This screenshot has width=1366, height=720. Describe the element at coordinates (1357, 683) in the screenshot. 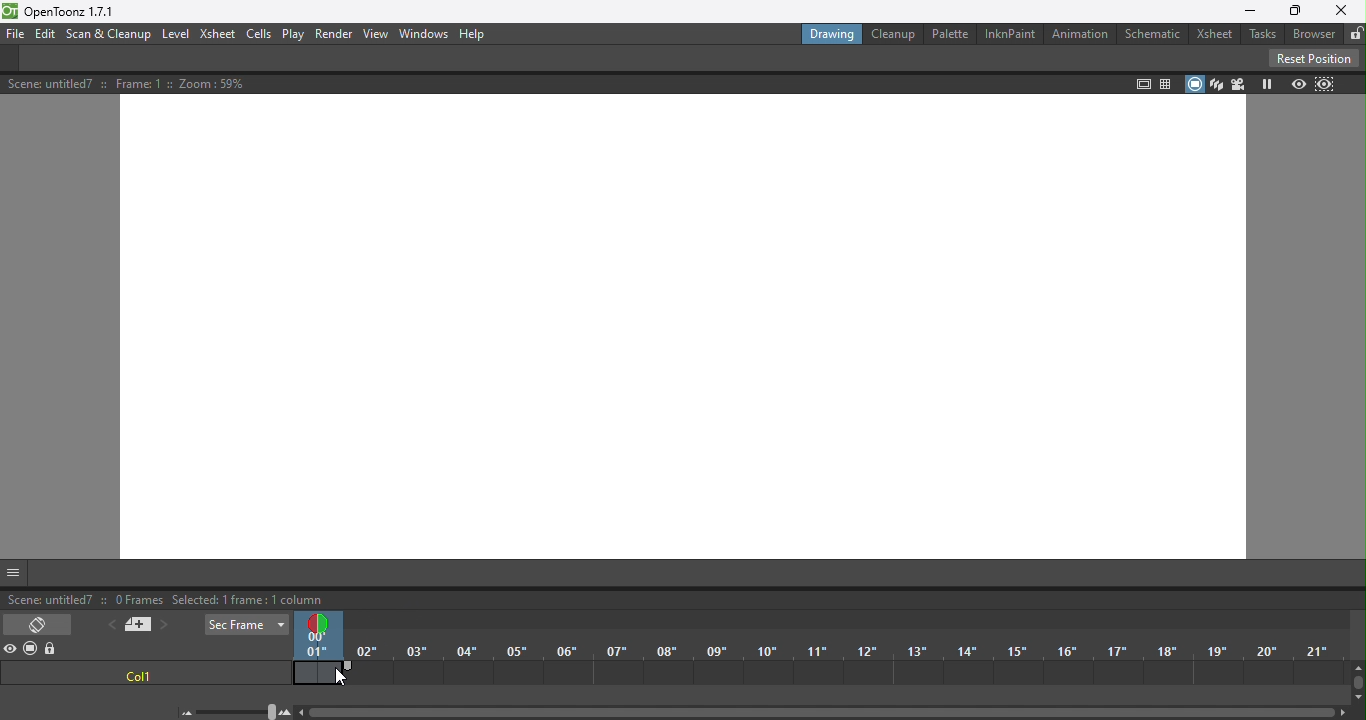

I see `Vertical scroll bar` at that location.